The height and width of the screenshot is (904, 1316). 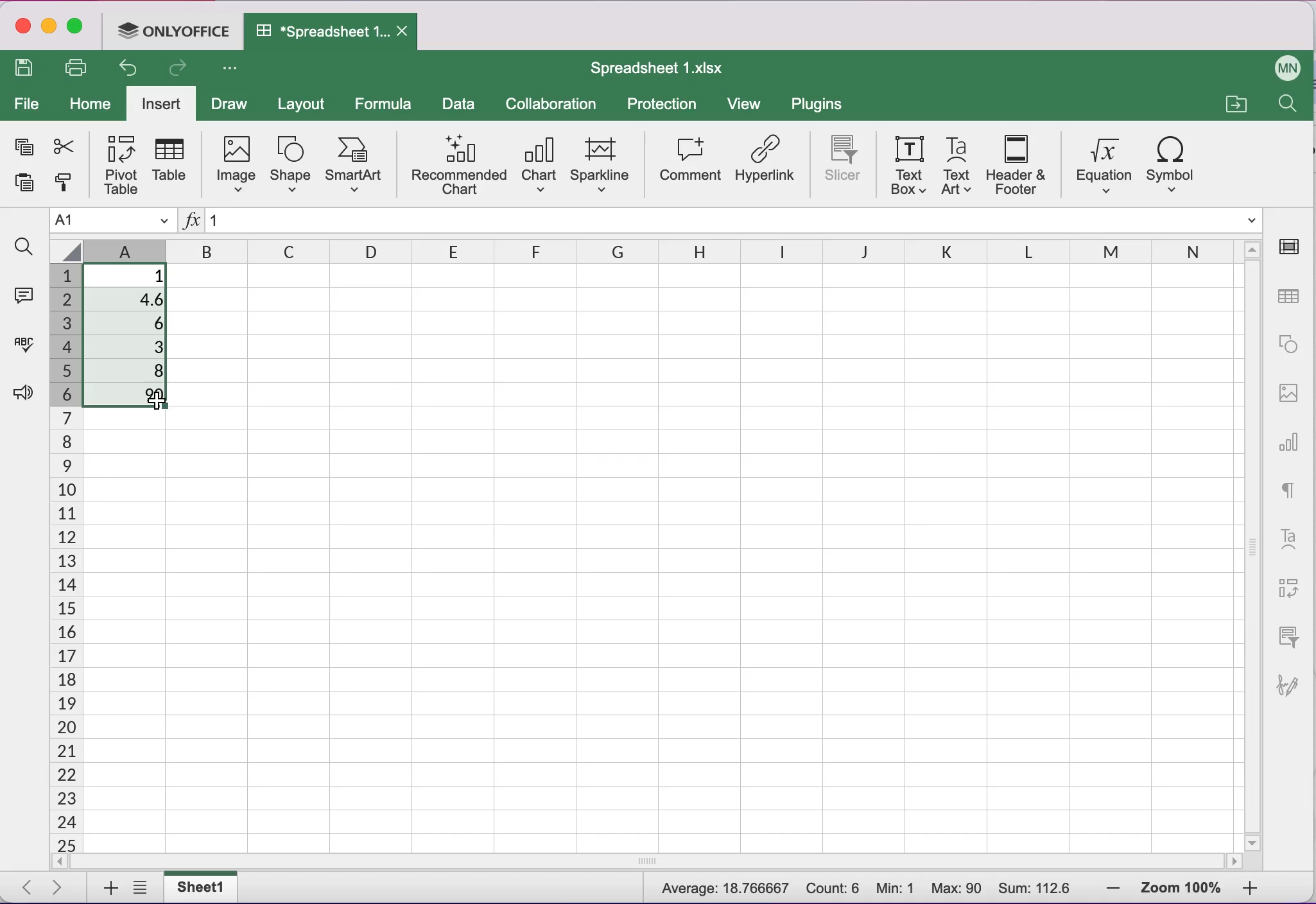 I want to click on Spreadsheet 1.xIsx, so click(x=656, y=67).